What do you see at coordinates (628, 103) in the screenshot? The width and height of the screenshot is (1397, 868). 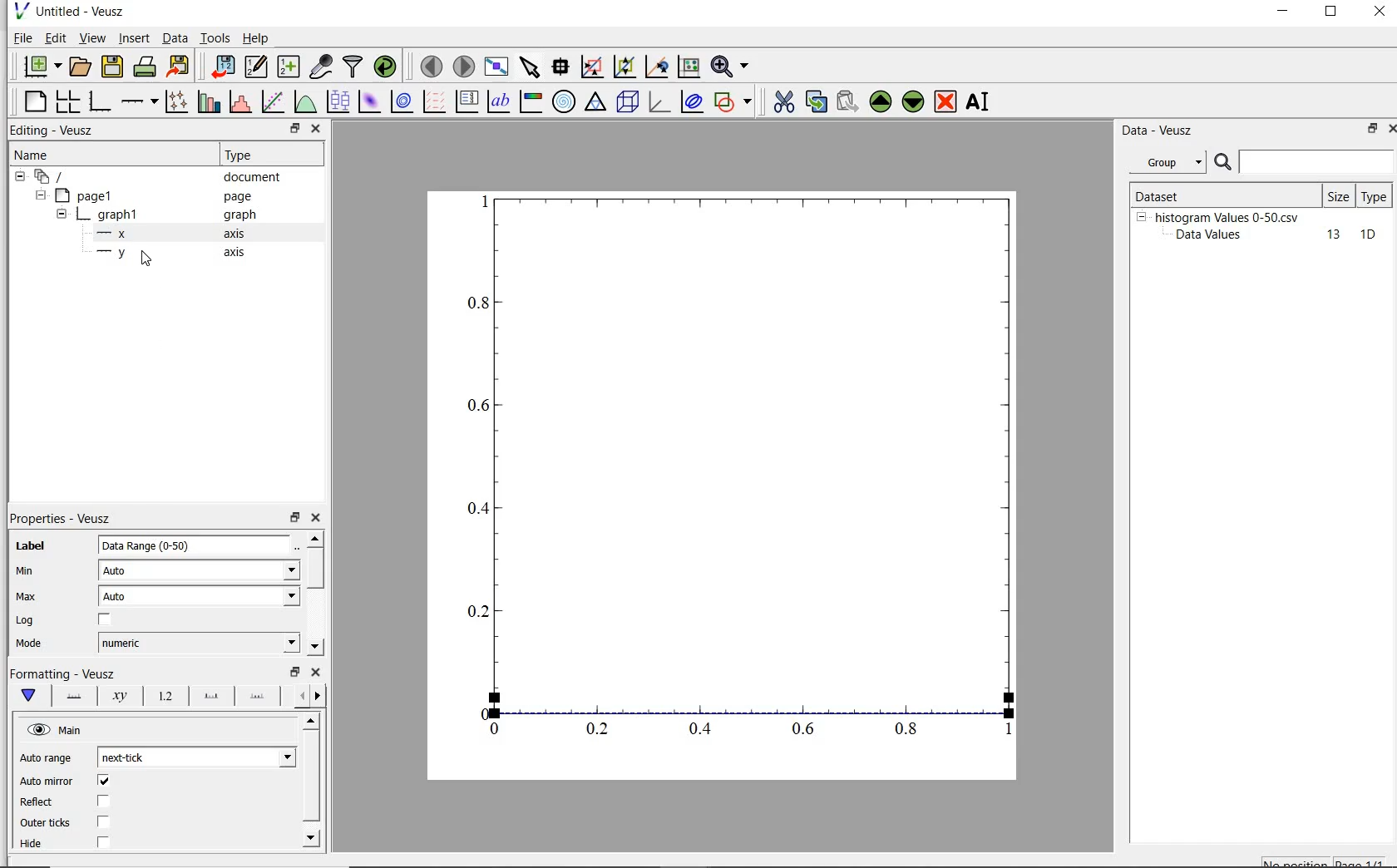 I see `3d scene` at bounding box center [628, 103].